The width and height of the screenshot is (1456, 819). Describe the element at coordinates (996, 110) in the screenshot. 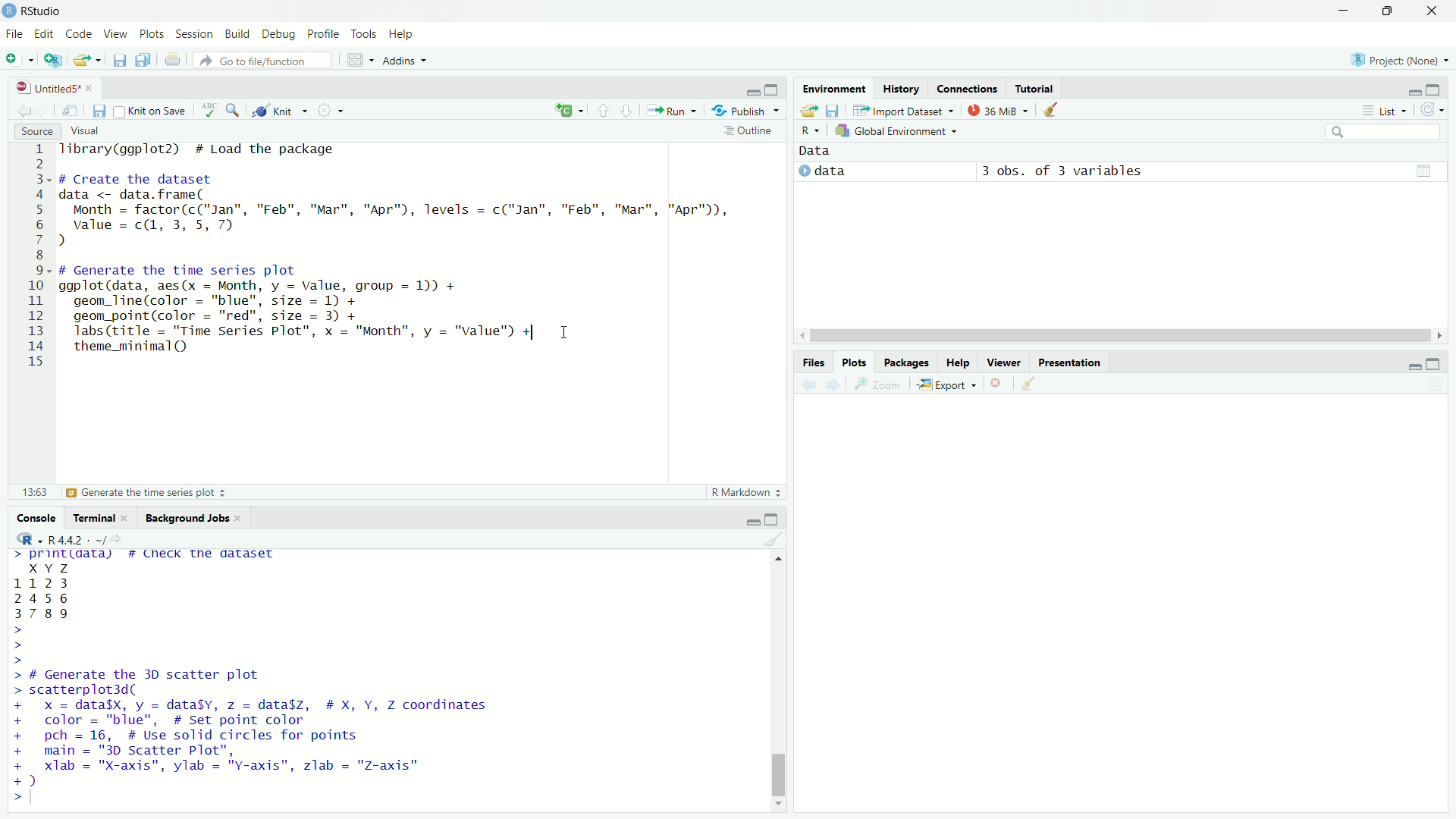

I see `36 MiB` at that location.